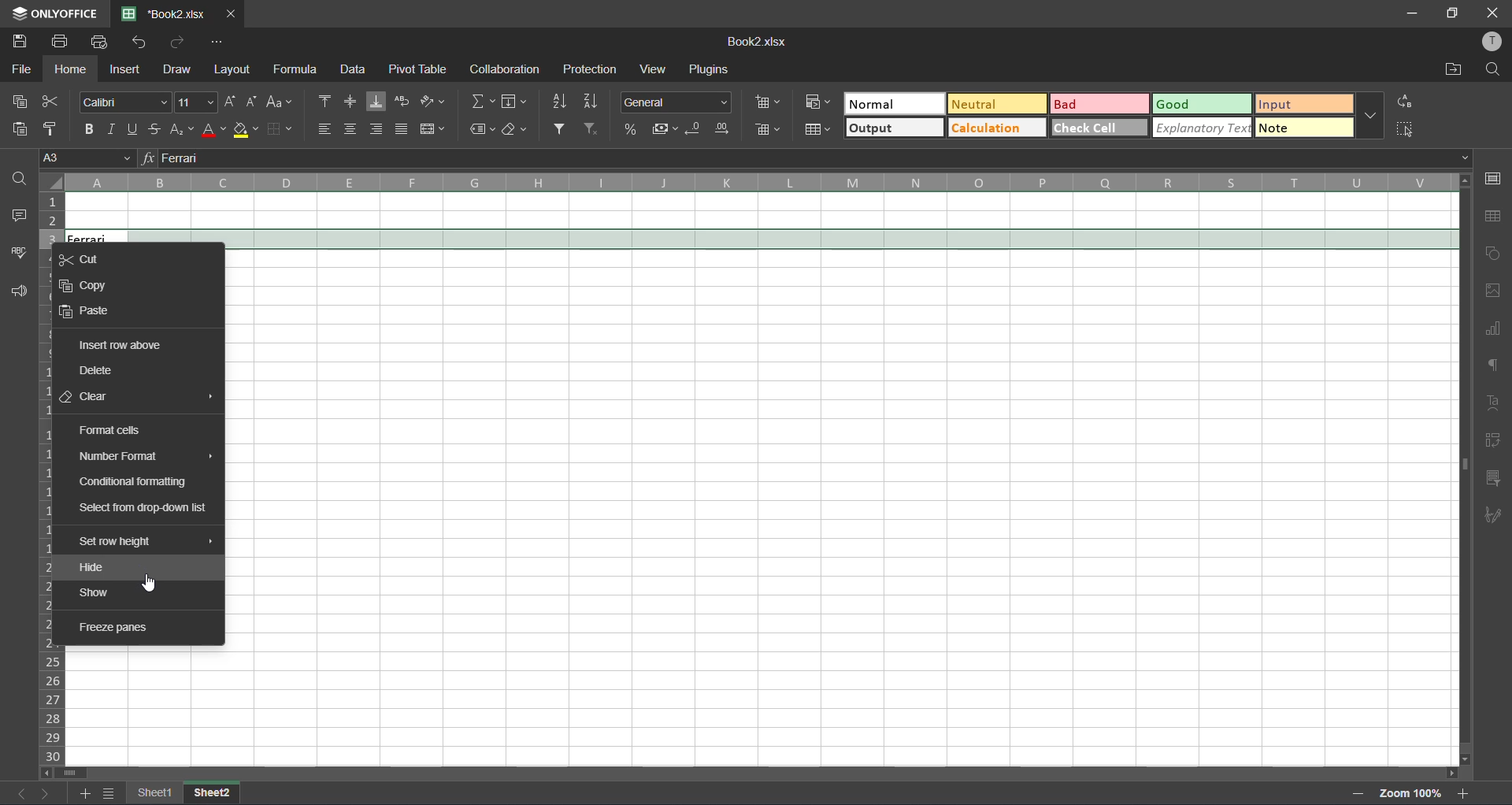 This screenshot has height=805, width=1512. Describe the element at coordinates (590, 69) in the screenshot. I see `protection` at that location.